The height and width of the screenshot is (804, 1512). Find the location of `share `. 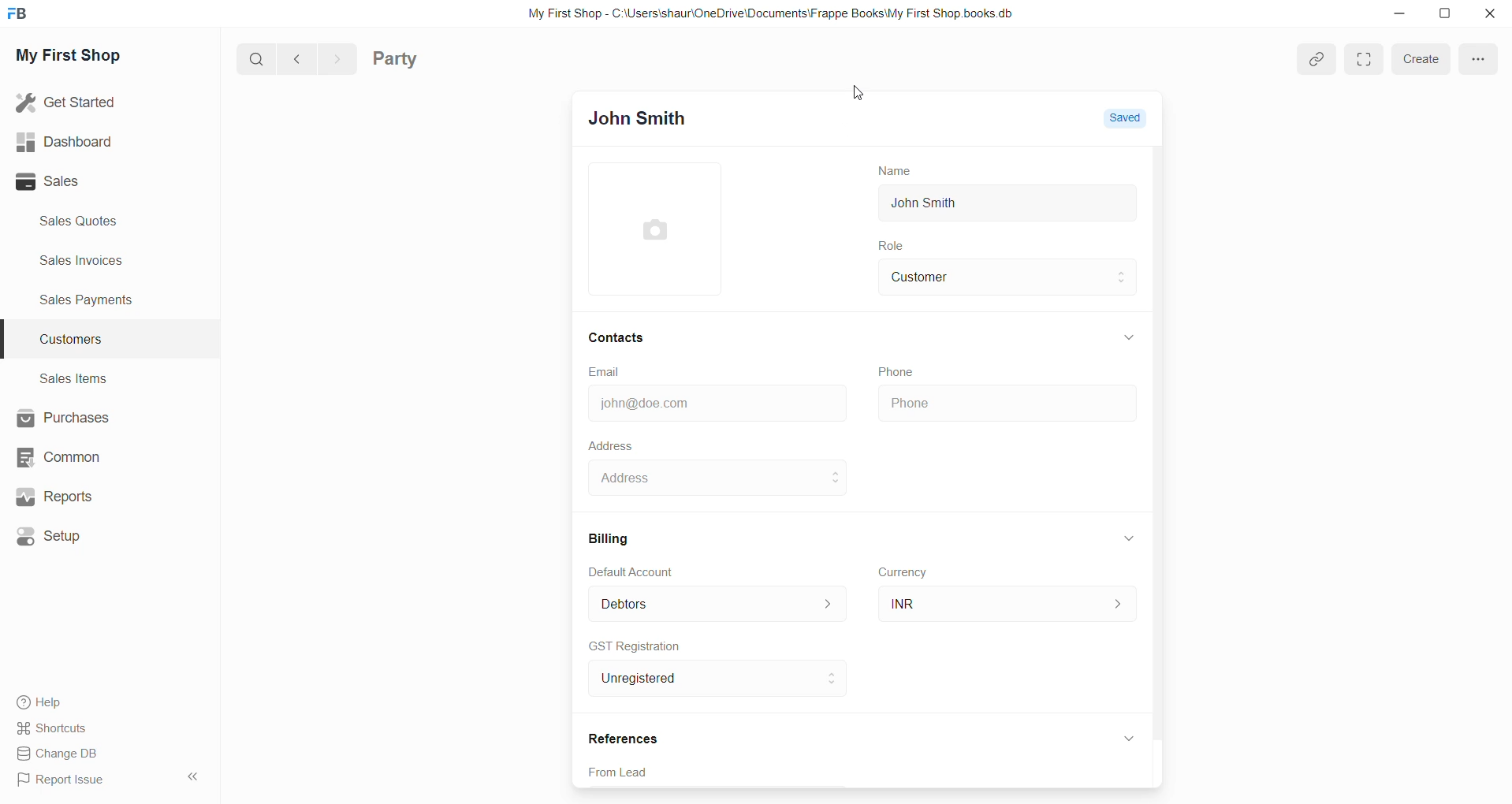

share  is located at coordinates (1318, 58).